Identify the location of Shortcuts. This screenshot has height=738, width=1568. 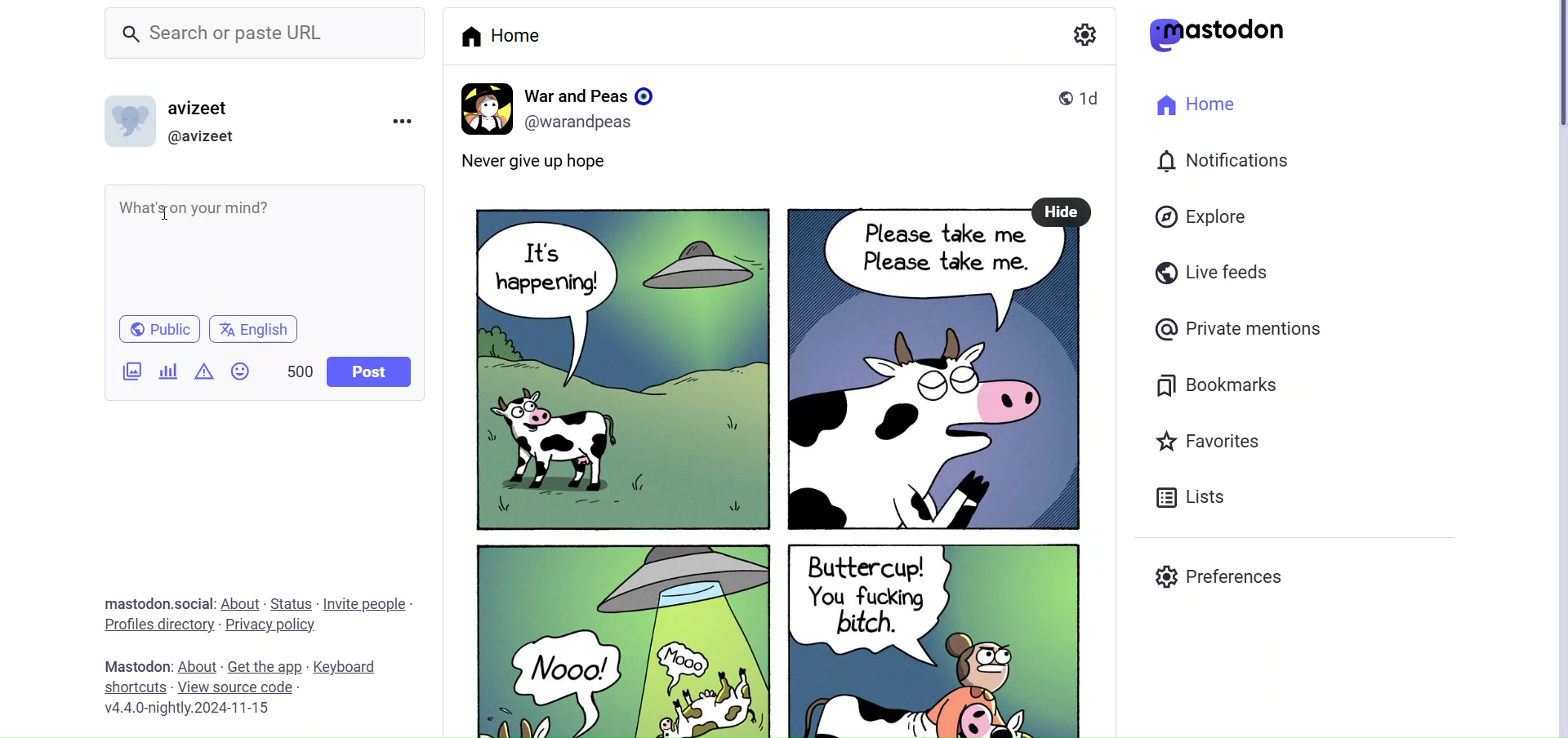
(132, 687).